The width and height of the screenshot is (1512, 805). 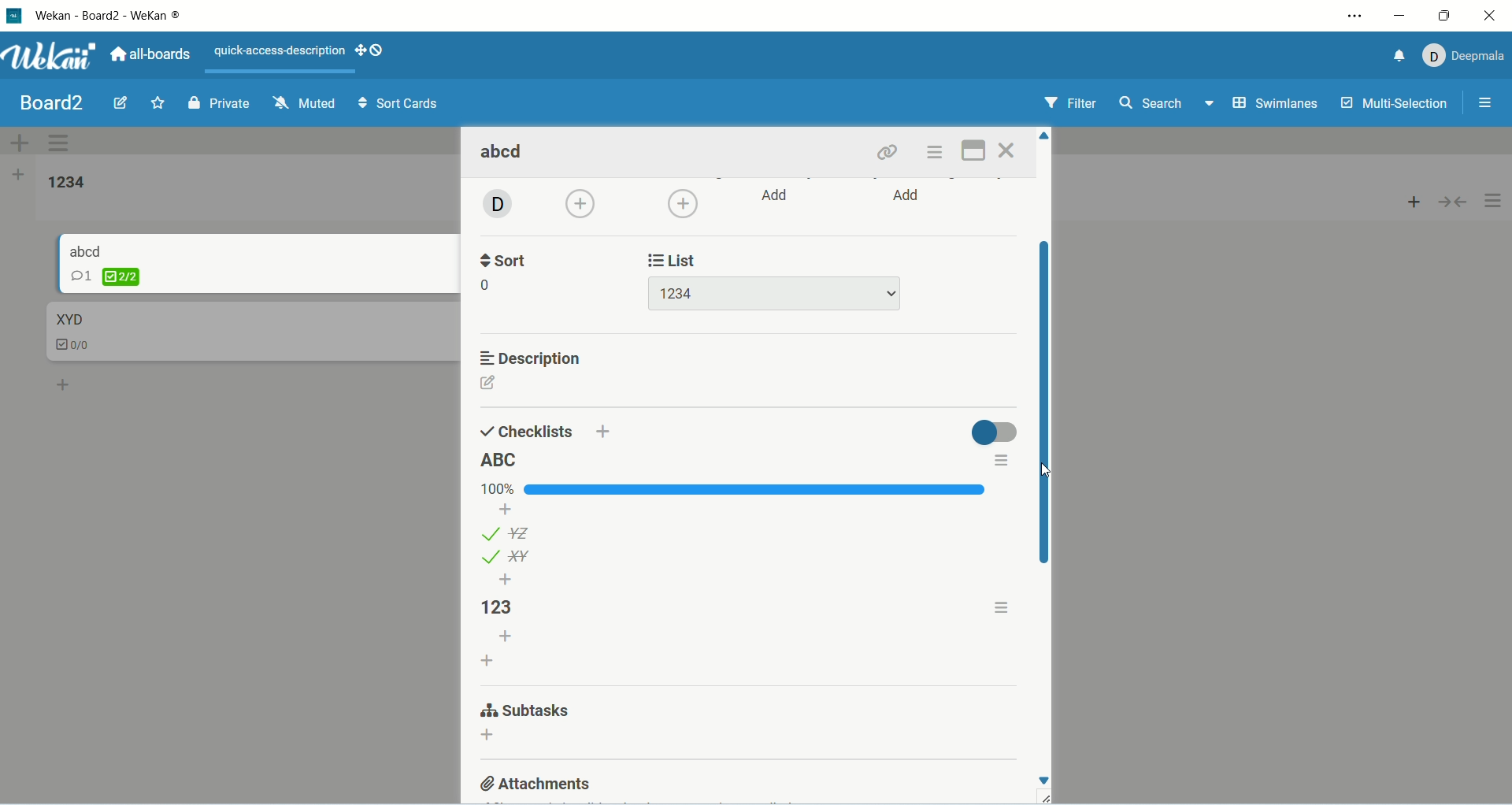 What do you see at coordinates (773, 294) in the screenshot?
I see `list` at bounding box center [773, 294].